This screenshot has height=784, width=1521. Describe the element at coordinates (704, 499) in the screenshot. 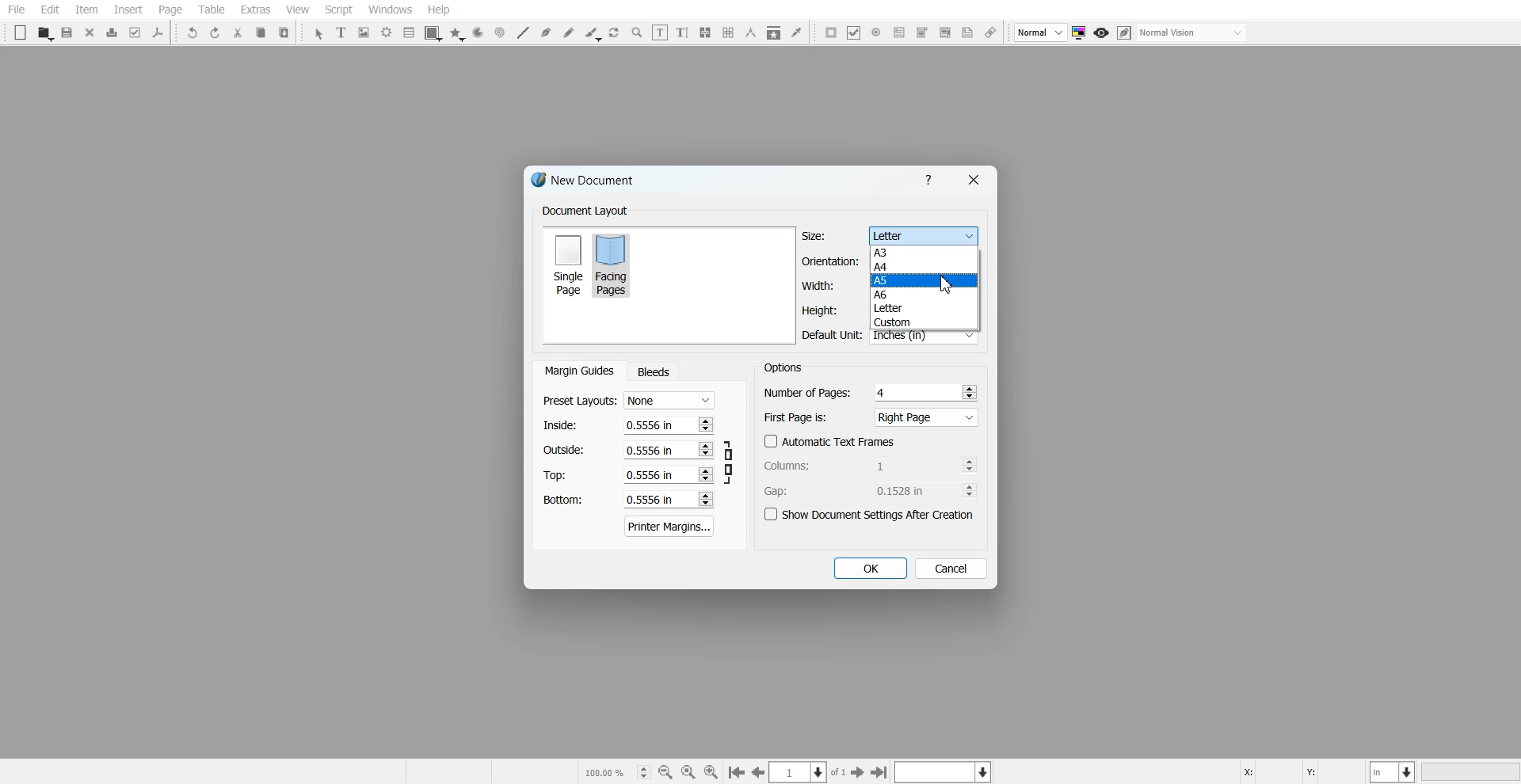

I see `Increase and decrease No. ` at that location.